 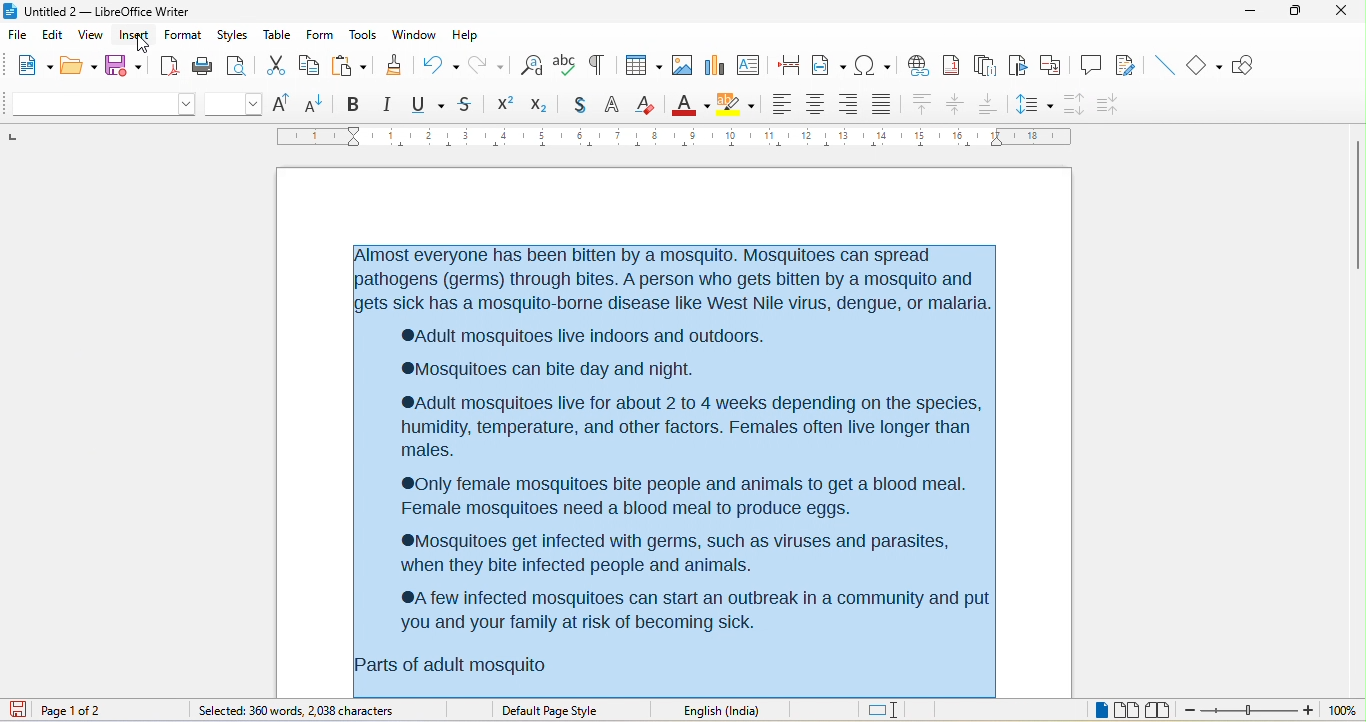 I want to click on form, so click(x=318, y=33).